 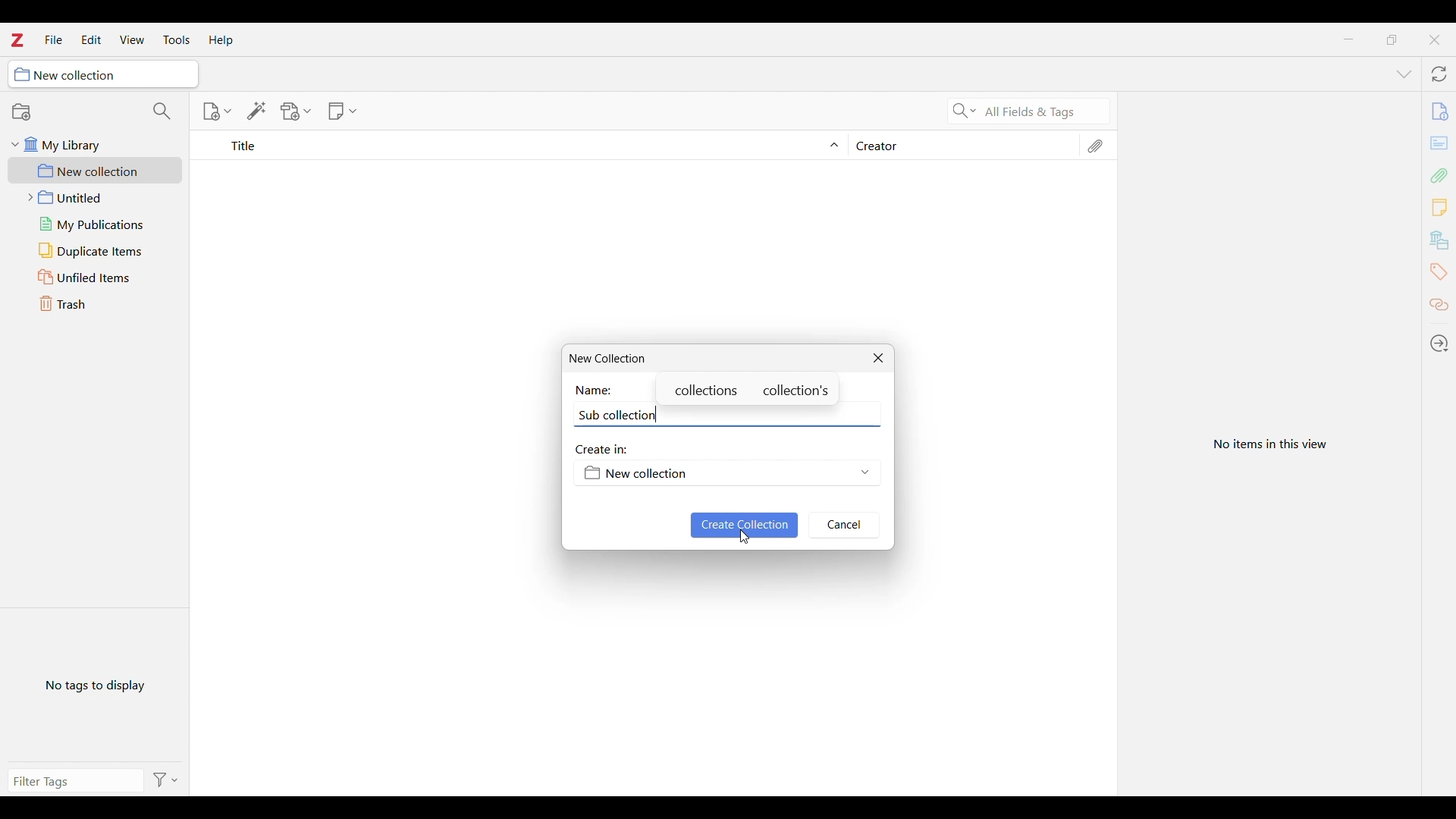 What do you see at coordinates (1439, 306) in the screenshot?
I see `Related` at bounding box center [1439, 306].